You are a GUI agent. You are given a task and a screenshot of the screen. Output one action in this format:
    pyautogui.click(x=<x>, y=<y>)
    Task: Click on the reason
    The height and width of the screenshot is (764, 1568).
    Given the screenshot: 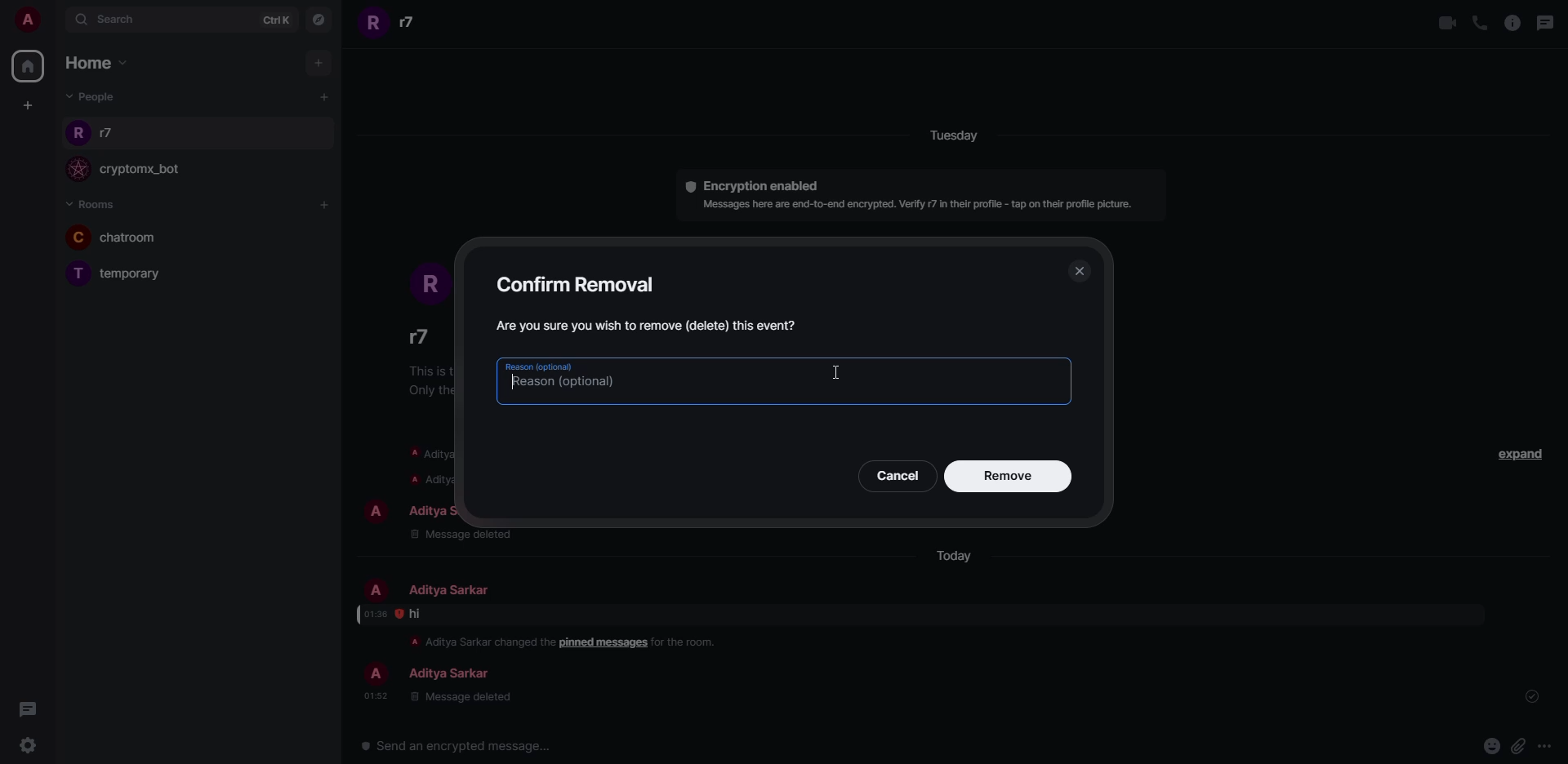 What is the action you would take?
    pyautogui.click(x=538, y=366)
    